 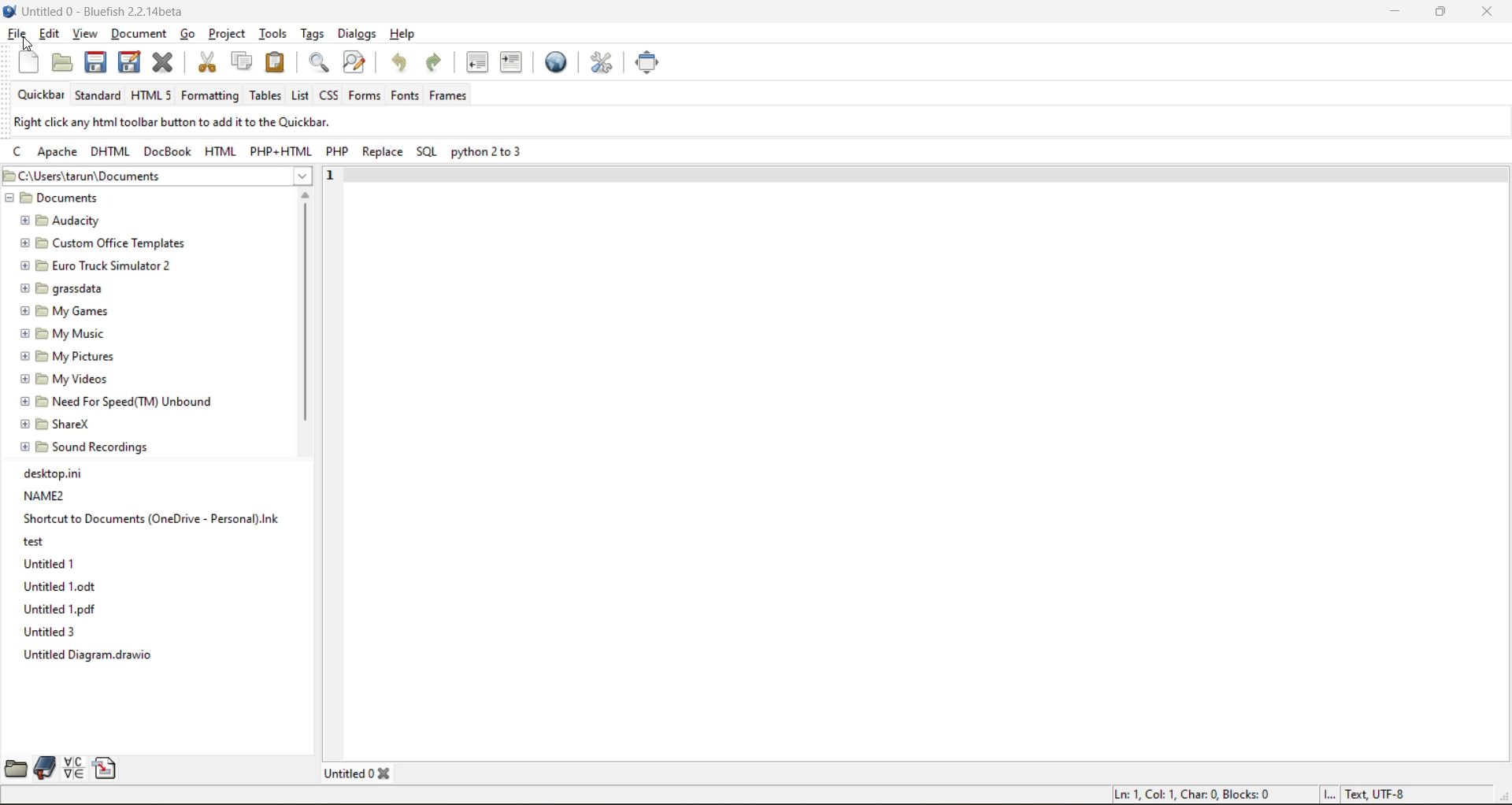 I want to click on sql, so click(x=428, y=152).